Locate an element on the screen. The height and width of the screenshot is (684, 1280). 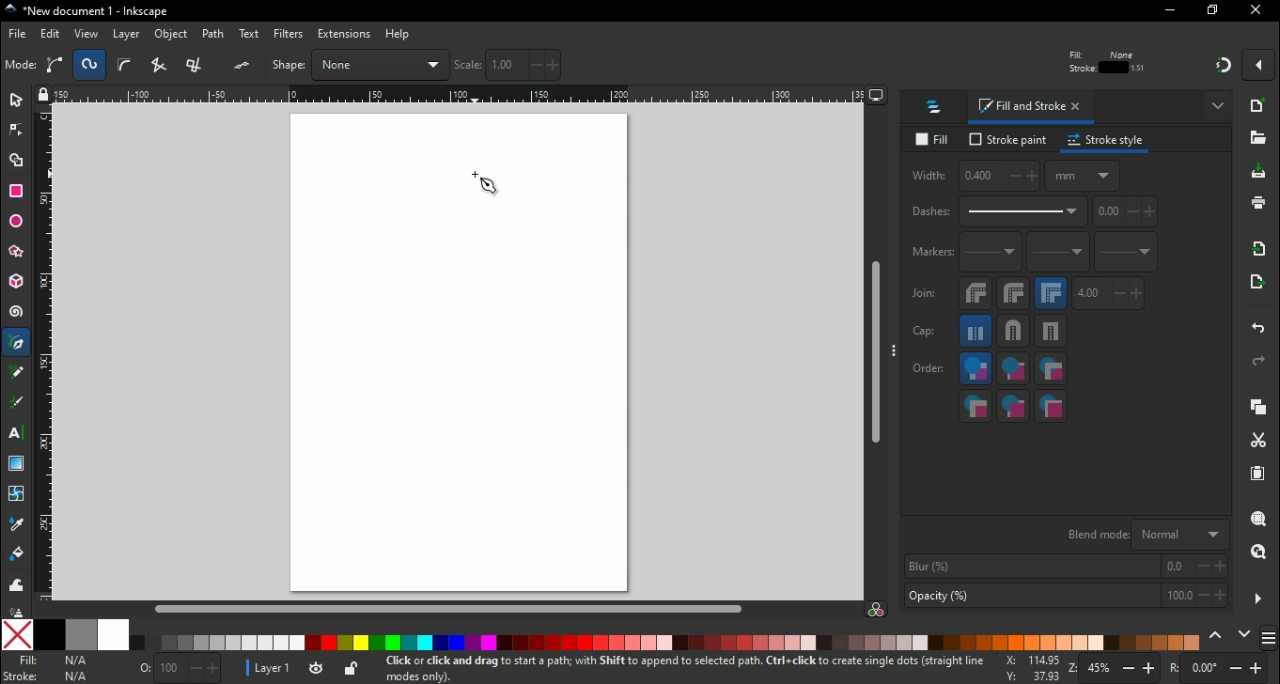
more options is located at coordinates (895, 354).